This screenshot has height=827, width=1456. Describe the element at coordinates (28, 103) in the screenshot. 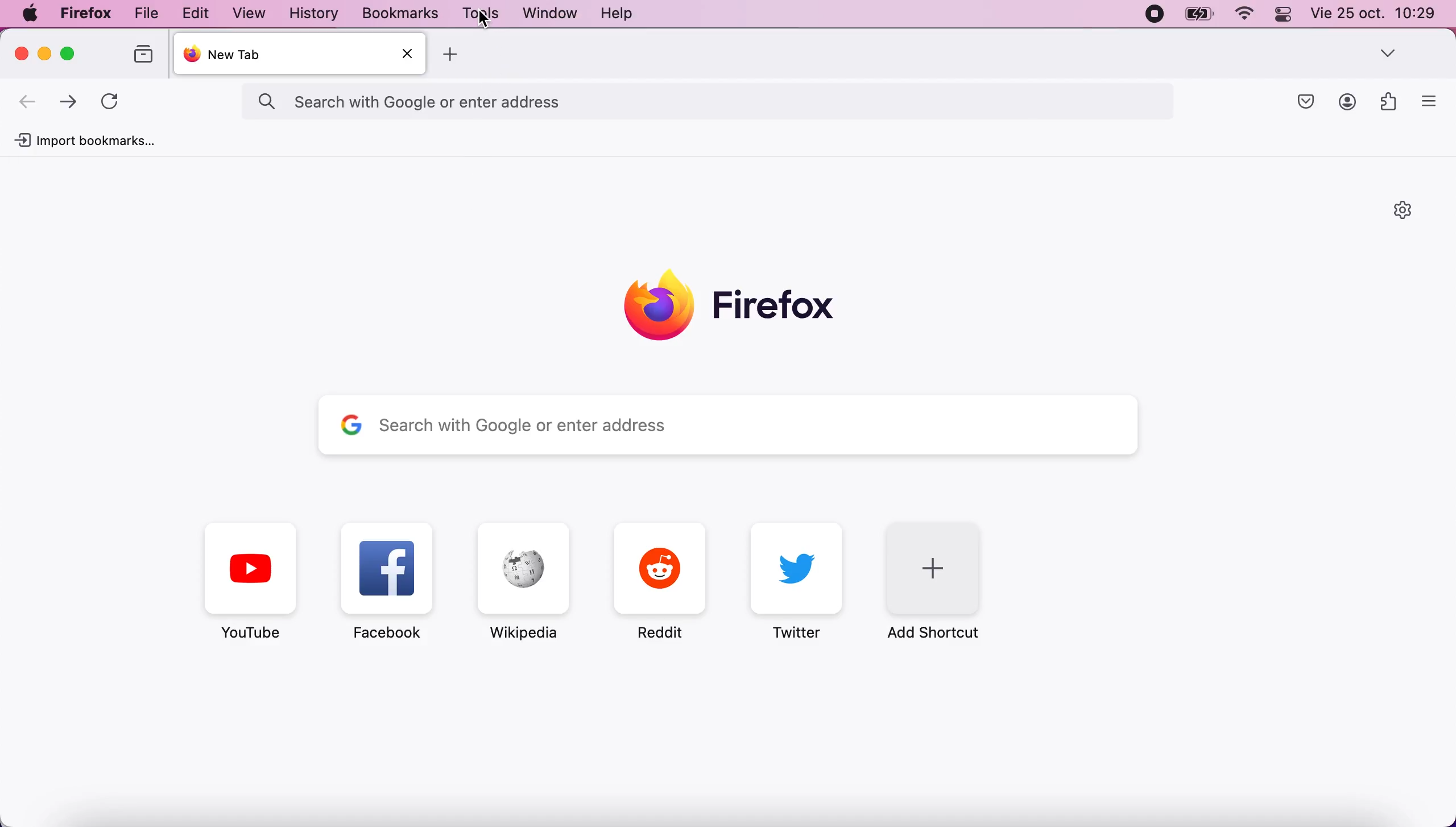

I see `Move backward` at that location.